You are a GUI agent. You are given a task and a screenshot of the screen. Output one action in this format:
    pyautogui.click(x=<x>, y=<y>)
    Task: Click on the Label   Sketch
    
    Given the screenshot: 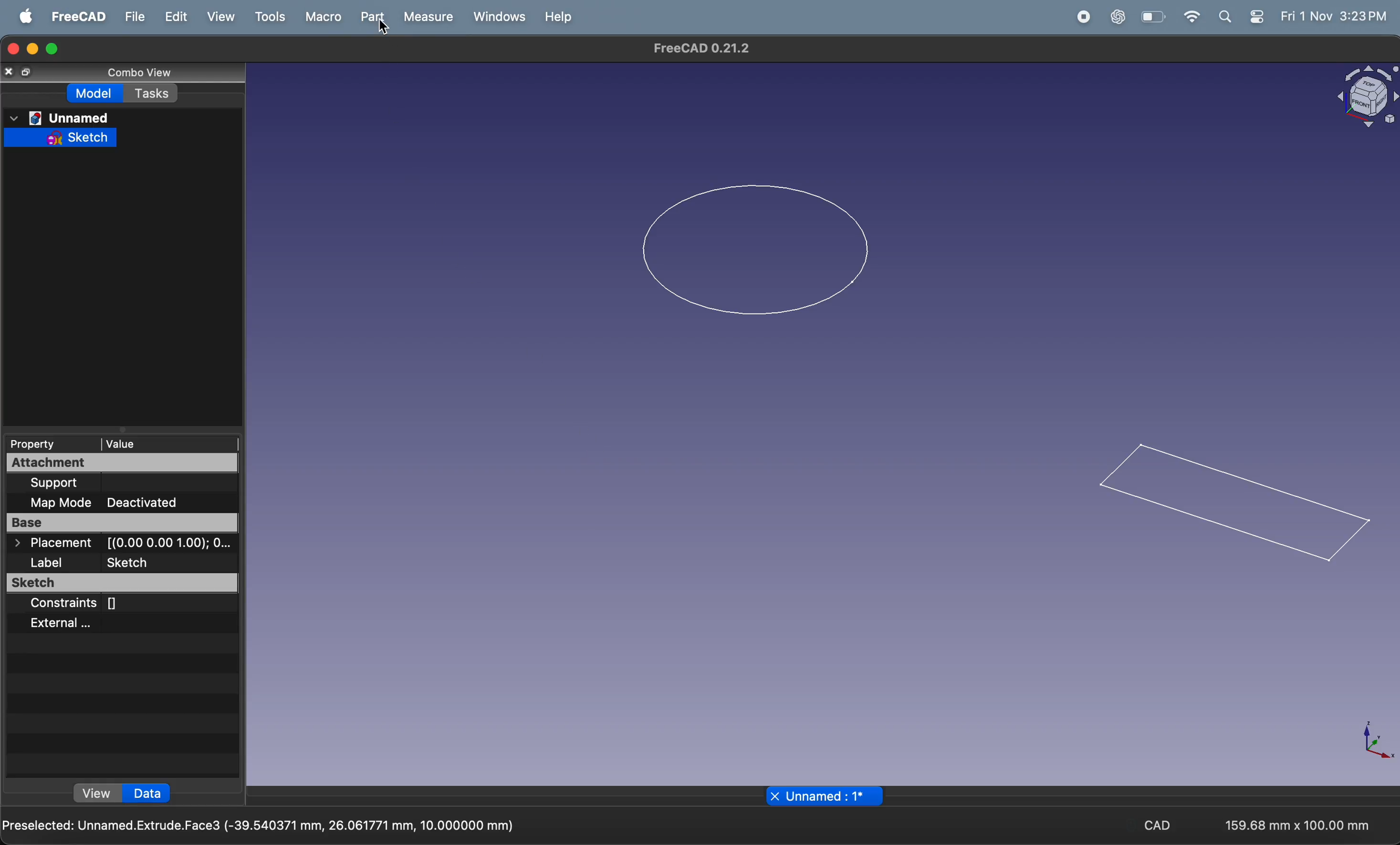 What is the action you would take?
    pyautogui.click(x=93, y=562)
    